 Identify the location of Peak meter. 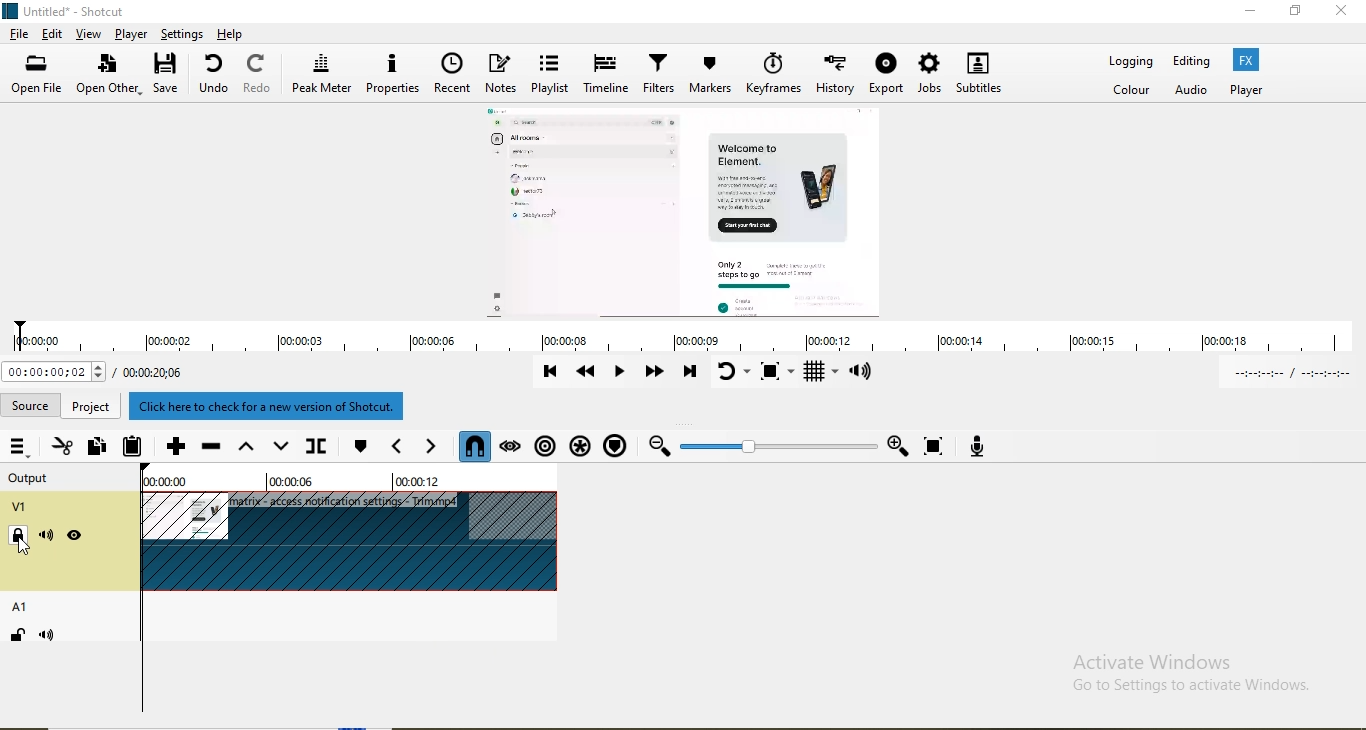
(322, 75).